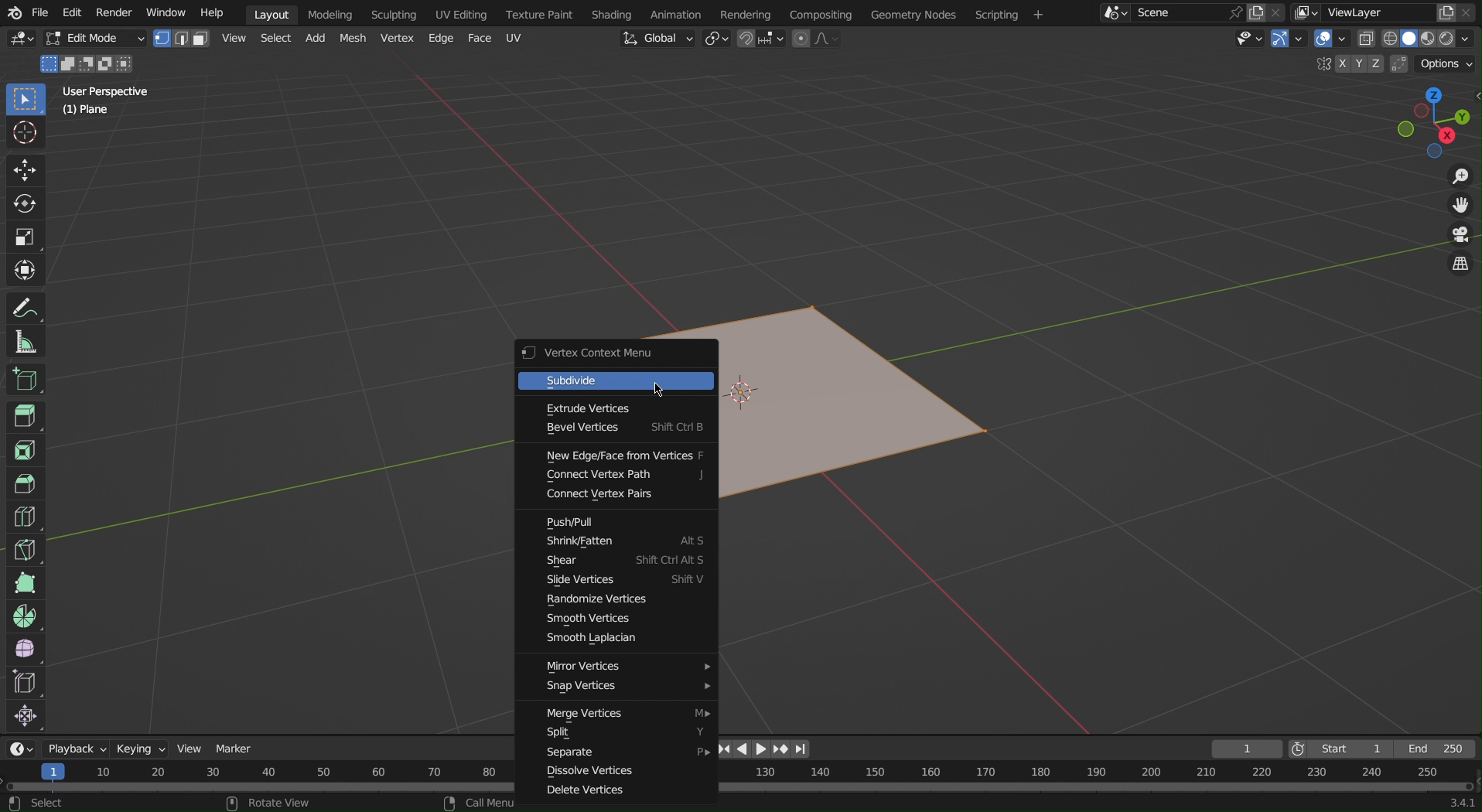 Image resolution: width=1482 pixels, height=812 pixels. I want to click on Spin, so click(24, 615).